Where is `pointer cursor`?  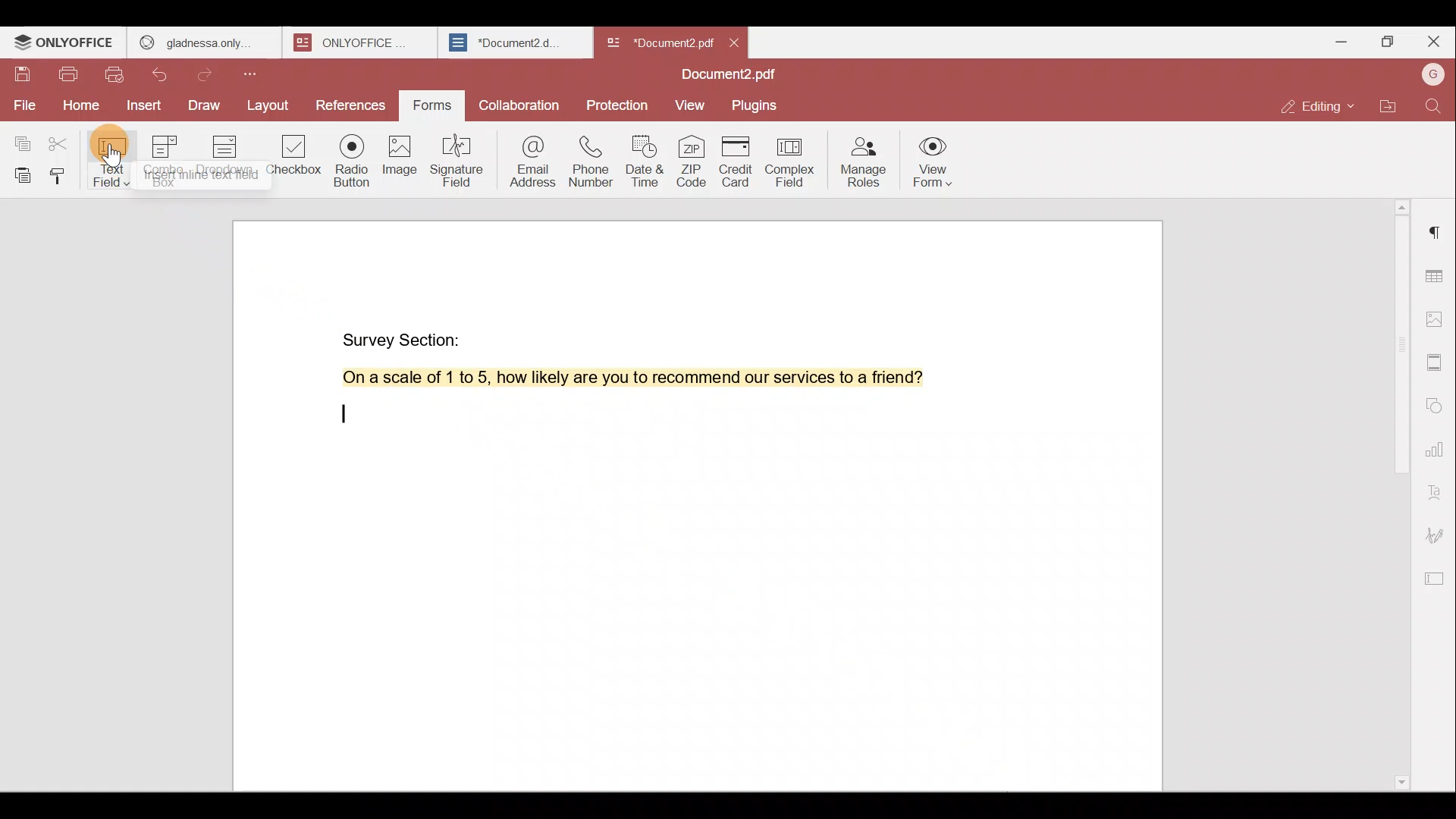
pointer cursor is located at coordinates (112, 158).